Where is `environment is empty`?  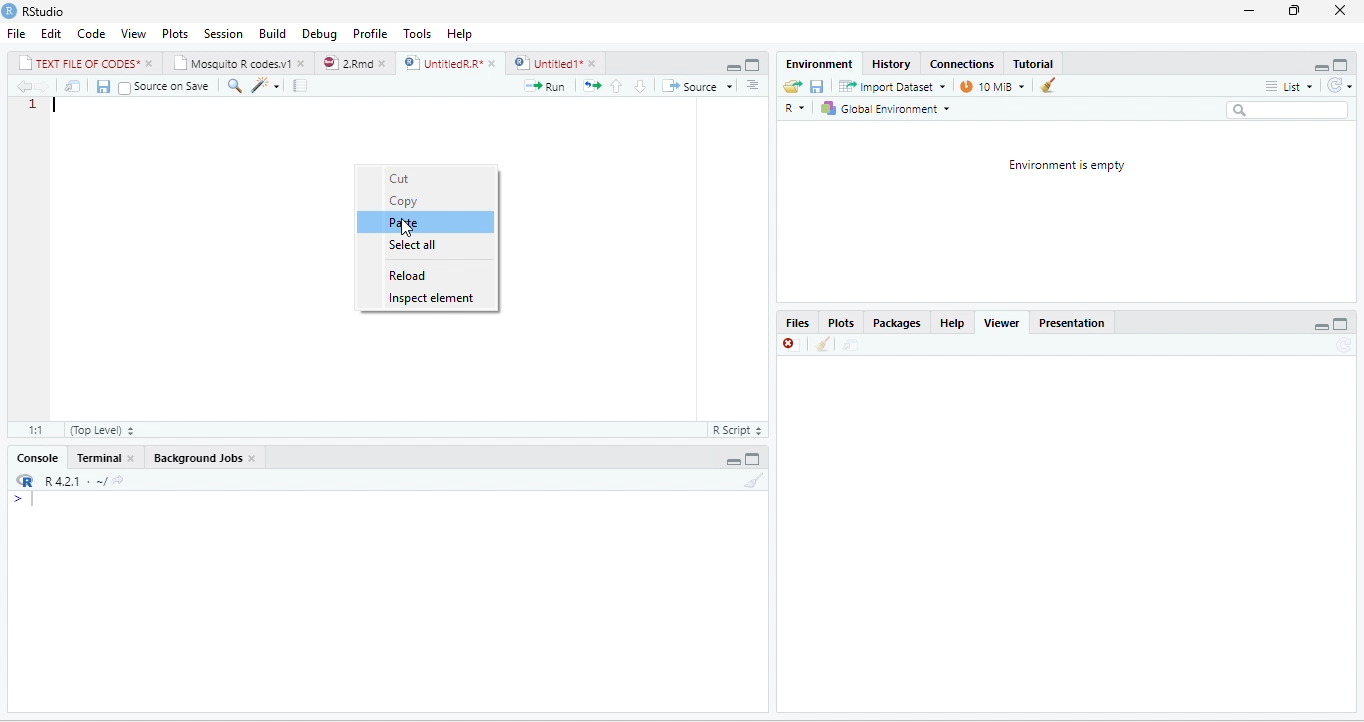
environment is empty is located at coordinates (1070, 210).